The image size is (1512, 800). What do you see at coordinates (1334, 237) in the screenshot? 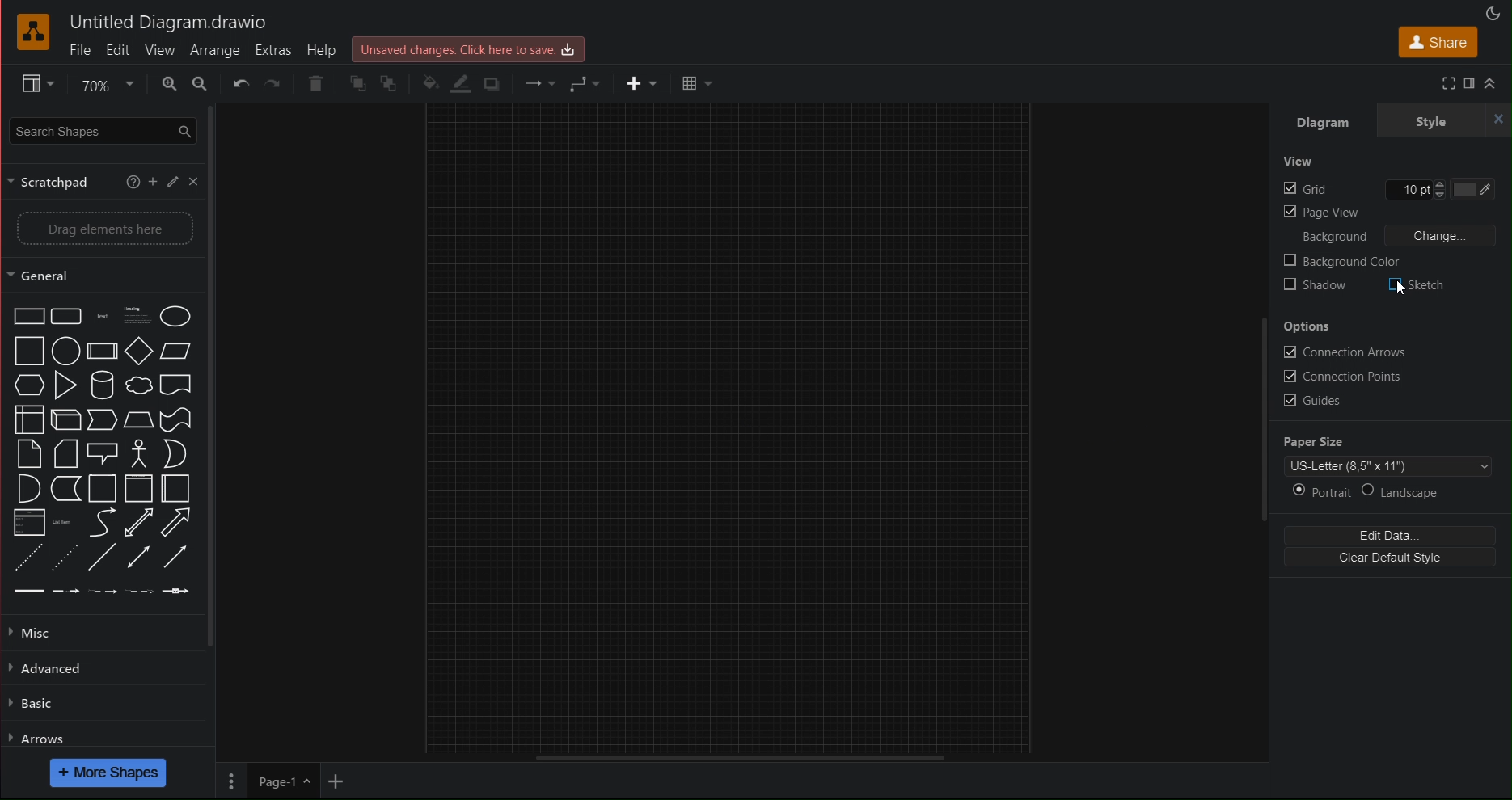
I see `Background` at bounding box center [1334, 237].